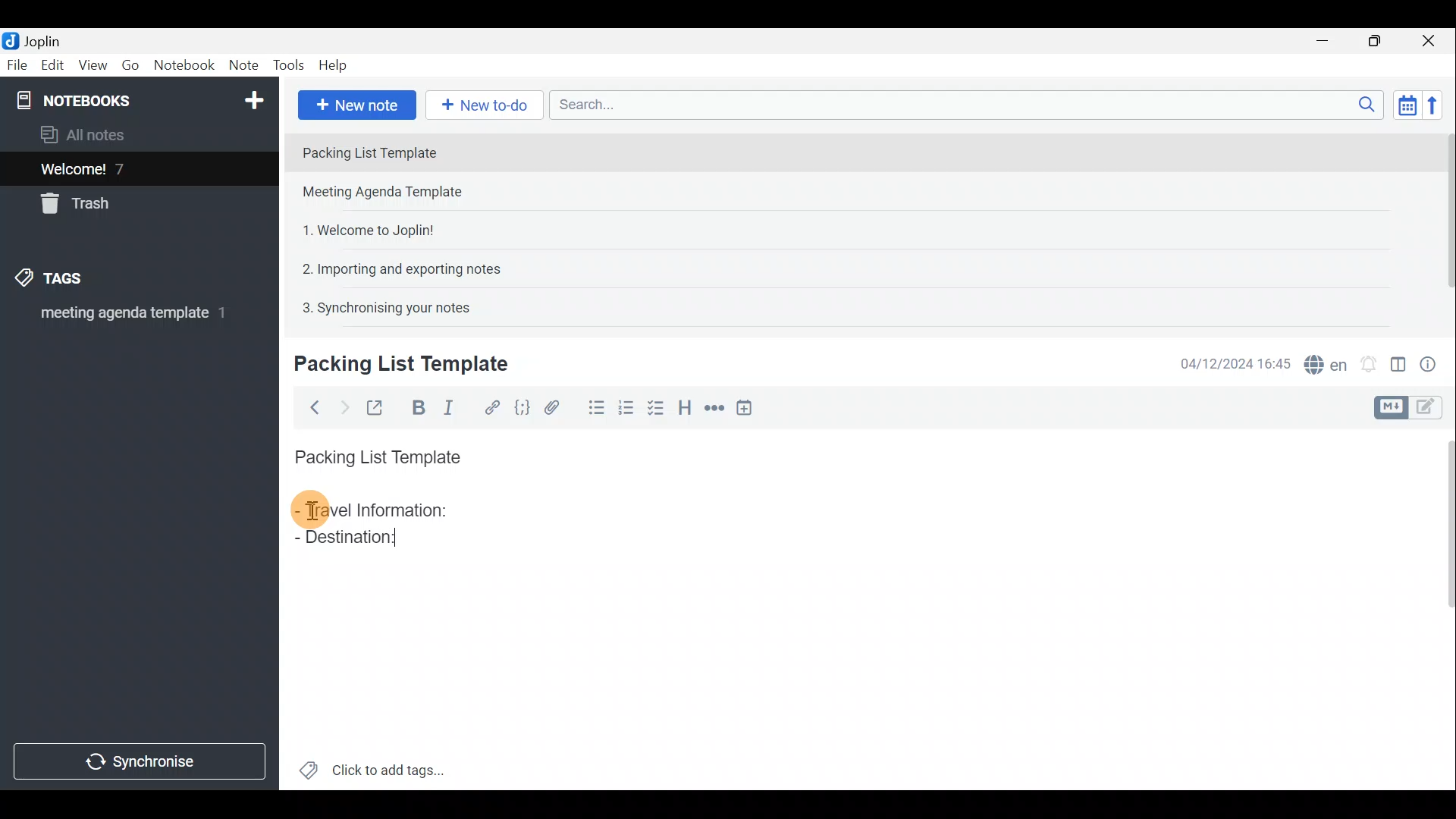  What do you see at coordinates (630, 412) in the screenshot?
I see `Numbered list` at bounding box center [630, 412].